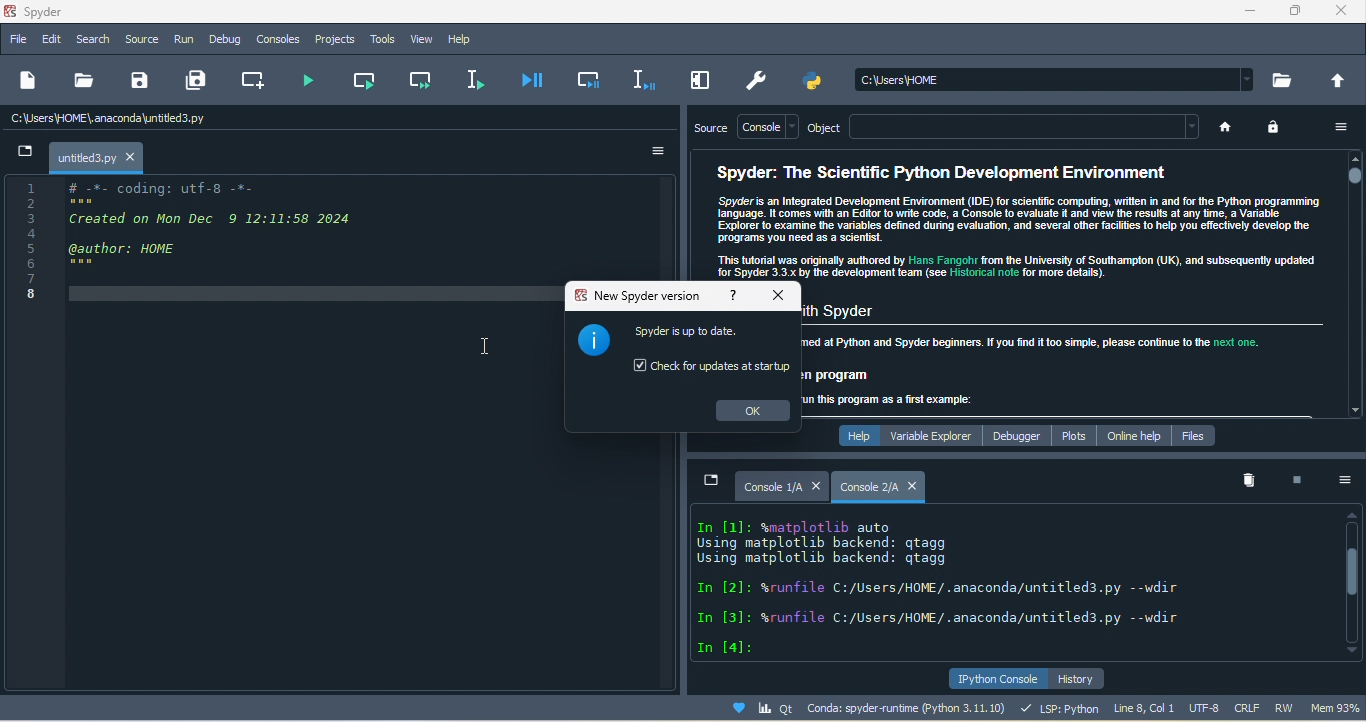 The width and height of the screenshot is (1366, 722). What do you see at coordinates (1340, 81) in the screenshot?
I see `change to parent directory` at bounding box center [1340, 81].